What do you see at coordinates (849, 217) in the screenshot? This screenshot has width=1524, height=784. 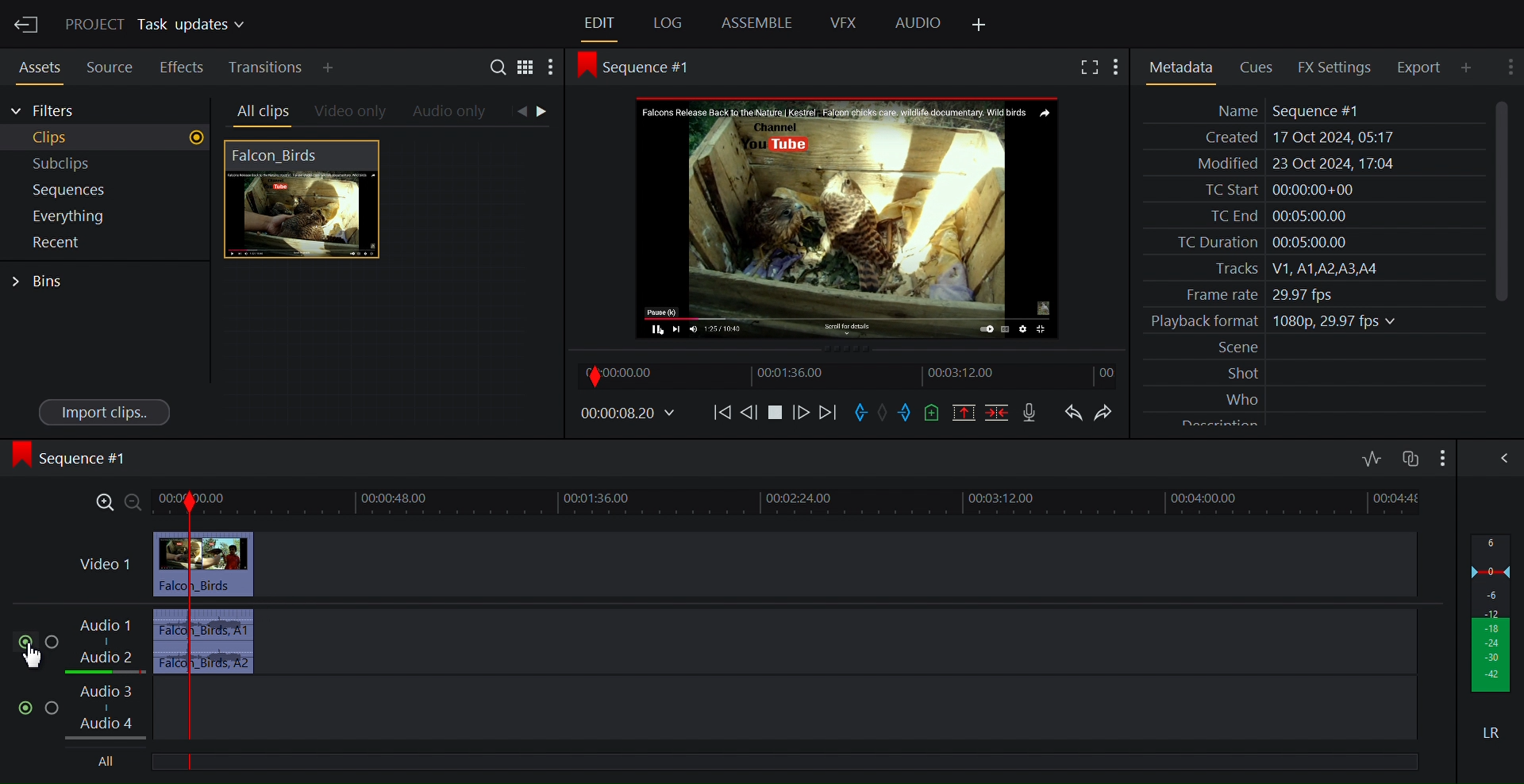 I see `Media viewer` at bounding box center [849, 217].